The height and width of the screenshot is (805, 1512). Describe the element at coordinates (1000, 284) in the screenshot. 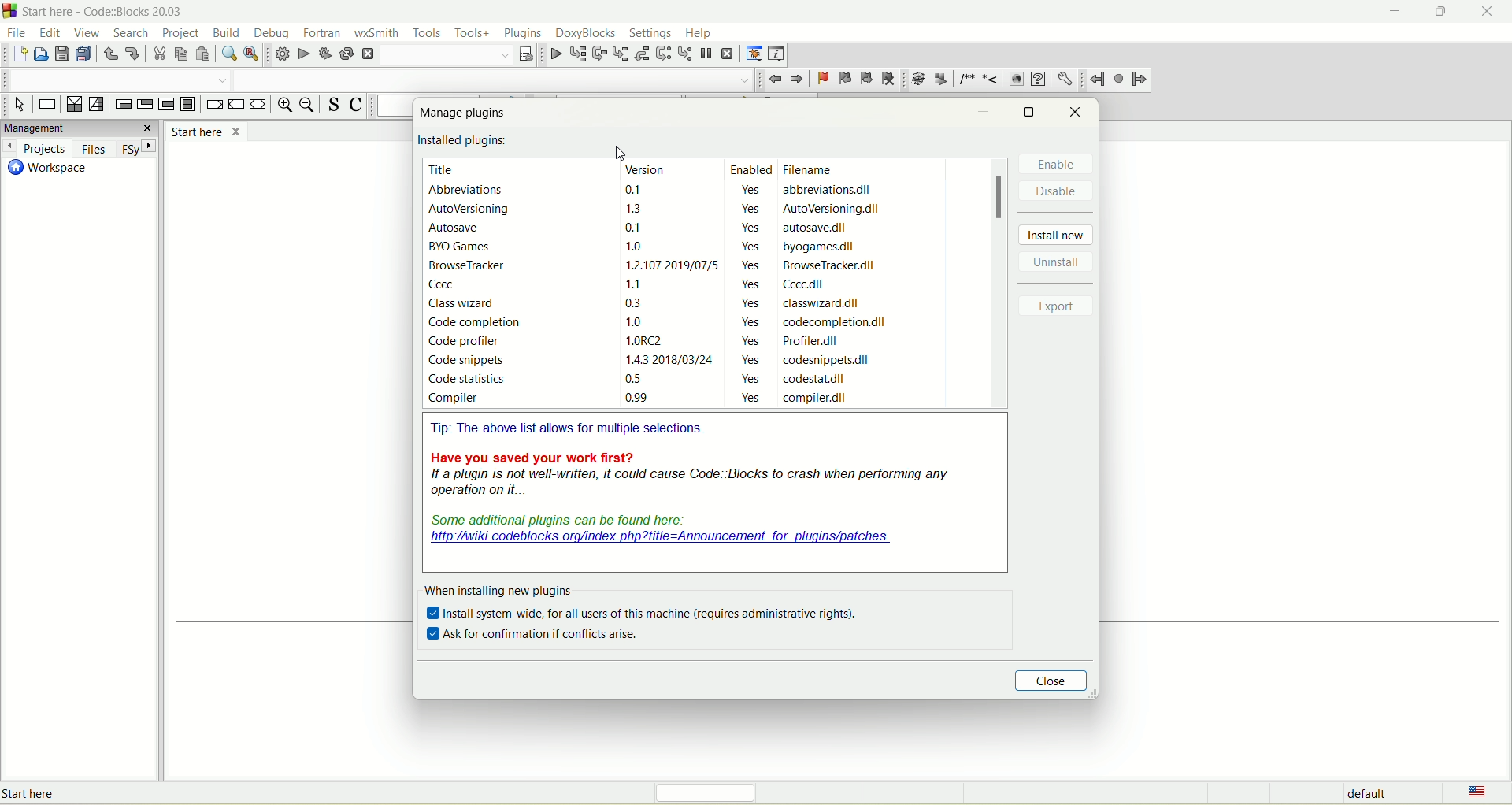

I see `vertical scroll bar` at that location.